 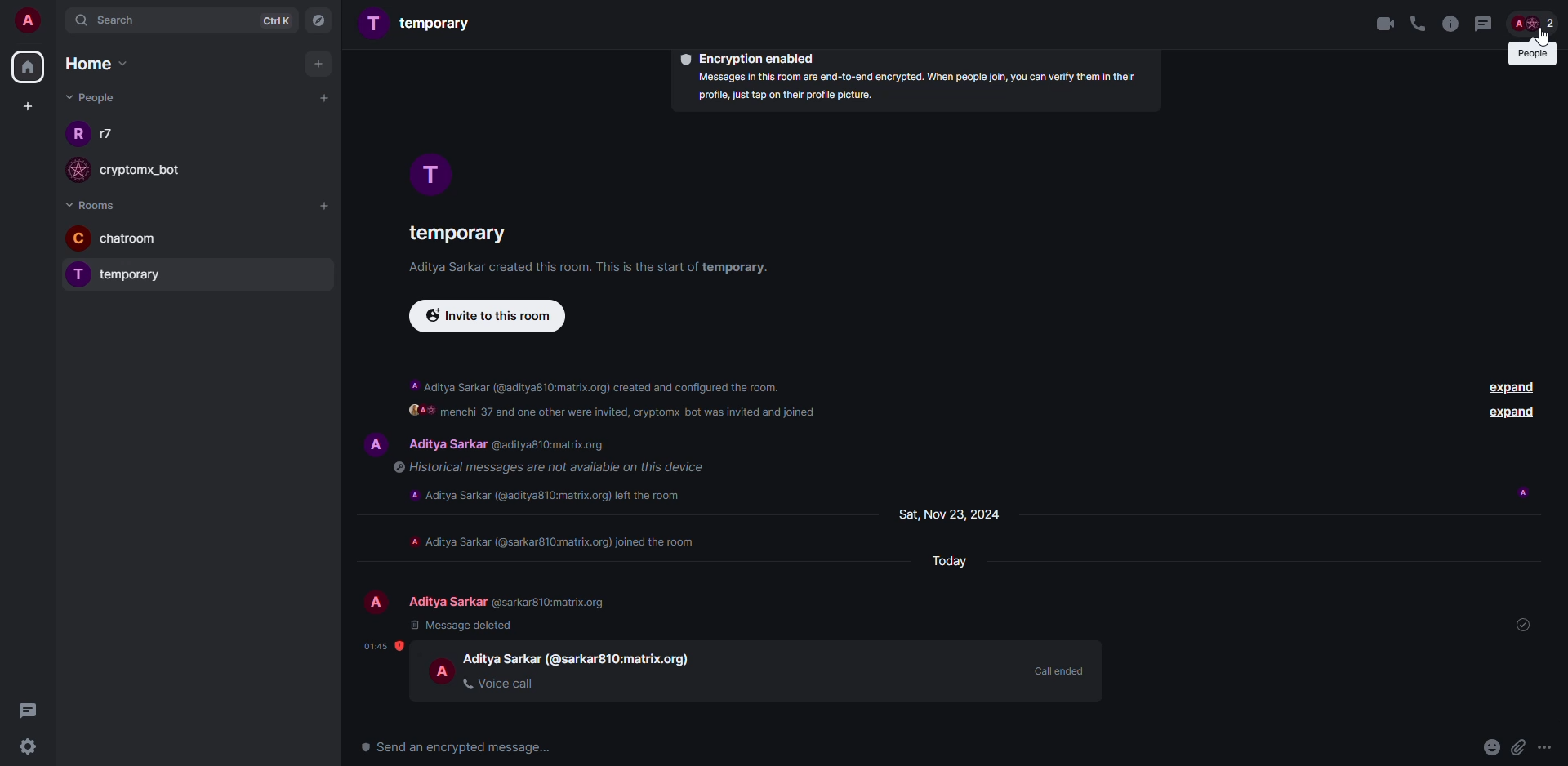 I want to click on emoji, so click(x=1492, y=747).